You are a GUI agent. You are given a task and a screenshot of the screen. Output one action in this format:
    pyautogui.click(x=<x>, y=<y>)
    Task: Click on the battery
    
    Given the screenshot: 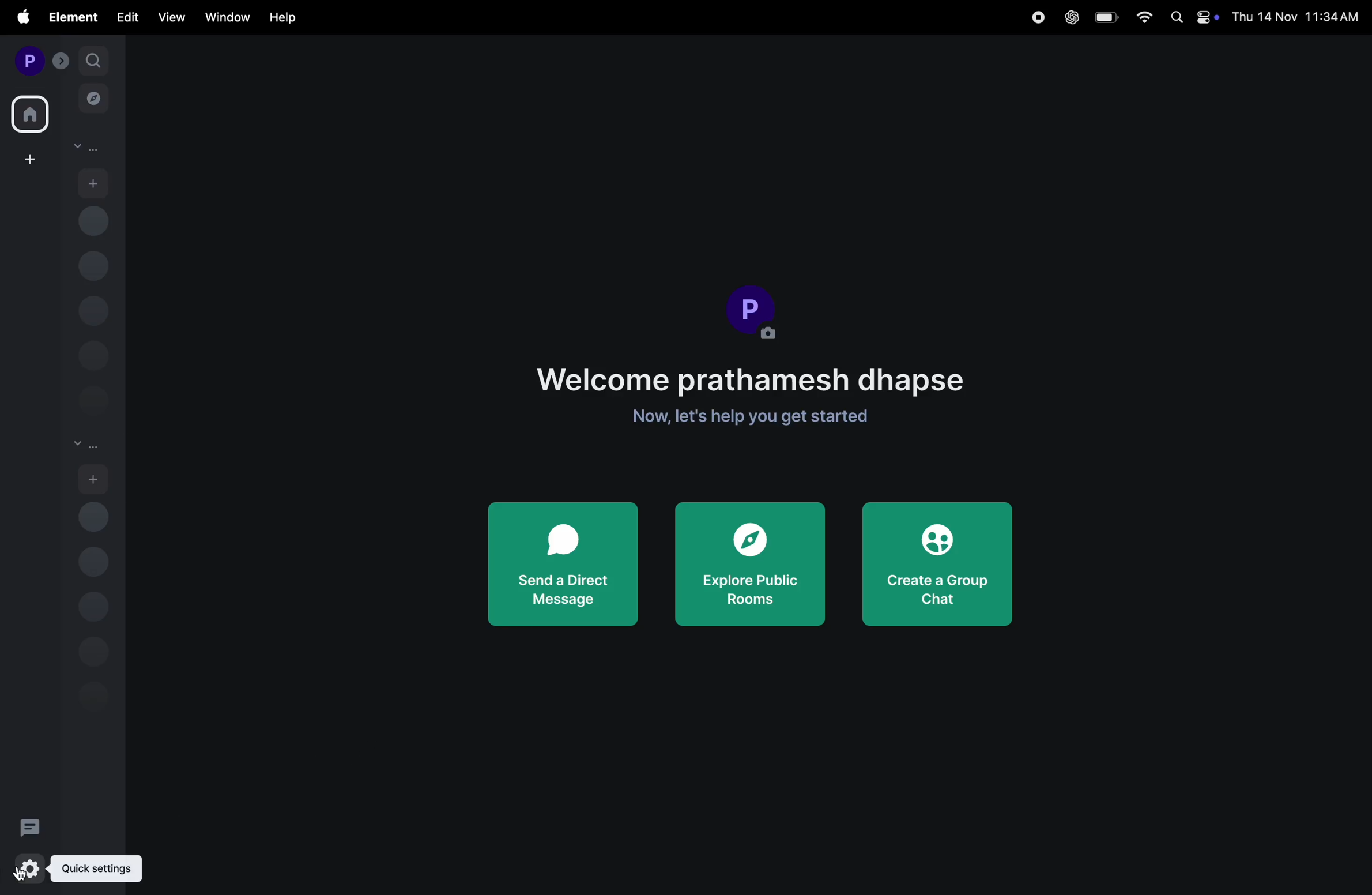 What is the action you would take?
    pyautogui.click(x=1105, y=17)
    